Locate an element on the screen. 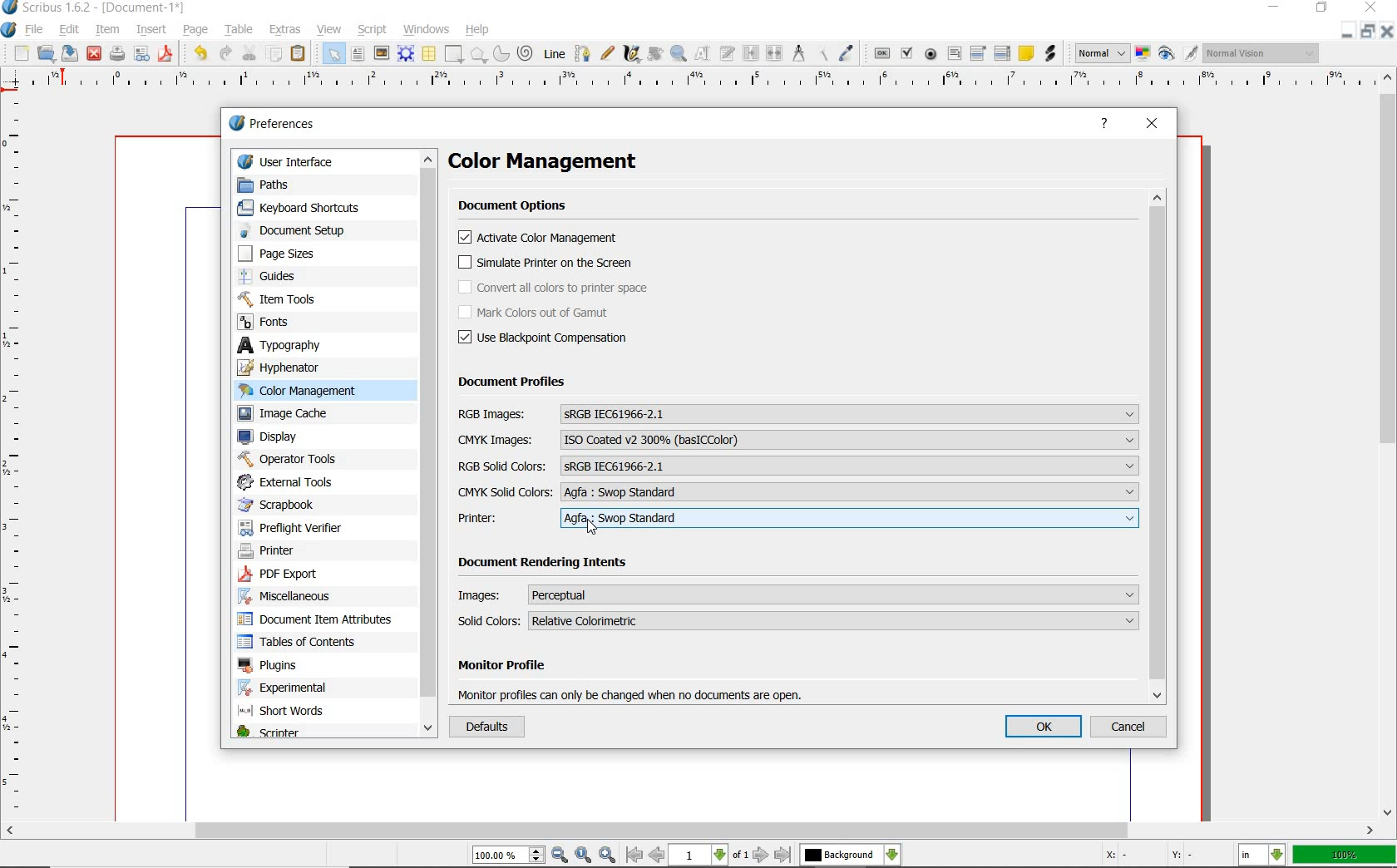 The height and width of the screenshot is (868, 1397). pdf export is located at coordinates (309, 574).